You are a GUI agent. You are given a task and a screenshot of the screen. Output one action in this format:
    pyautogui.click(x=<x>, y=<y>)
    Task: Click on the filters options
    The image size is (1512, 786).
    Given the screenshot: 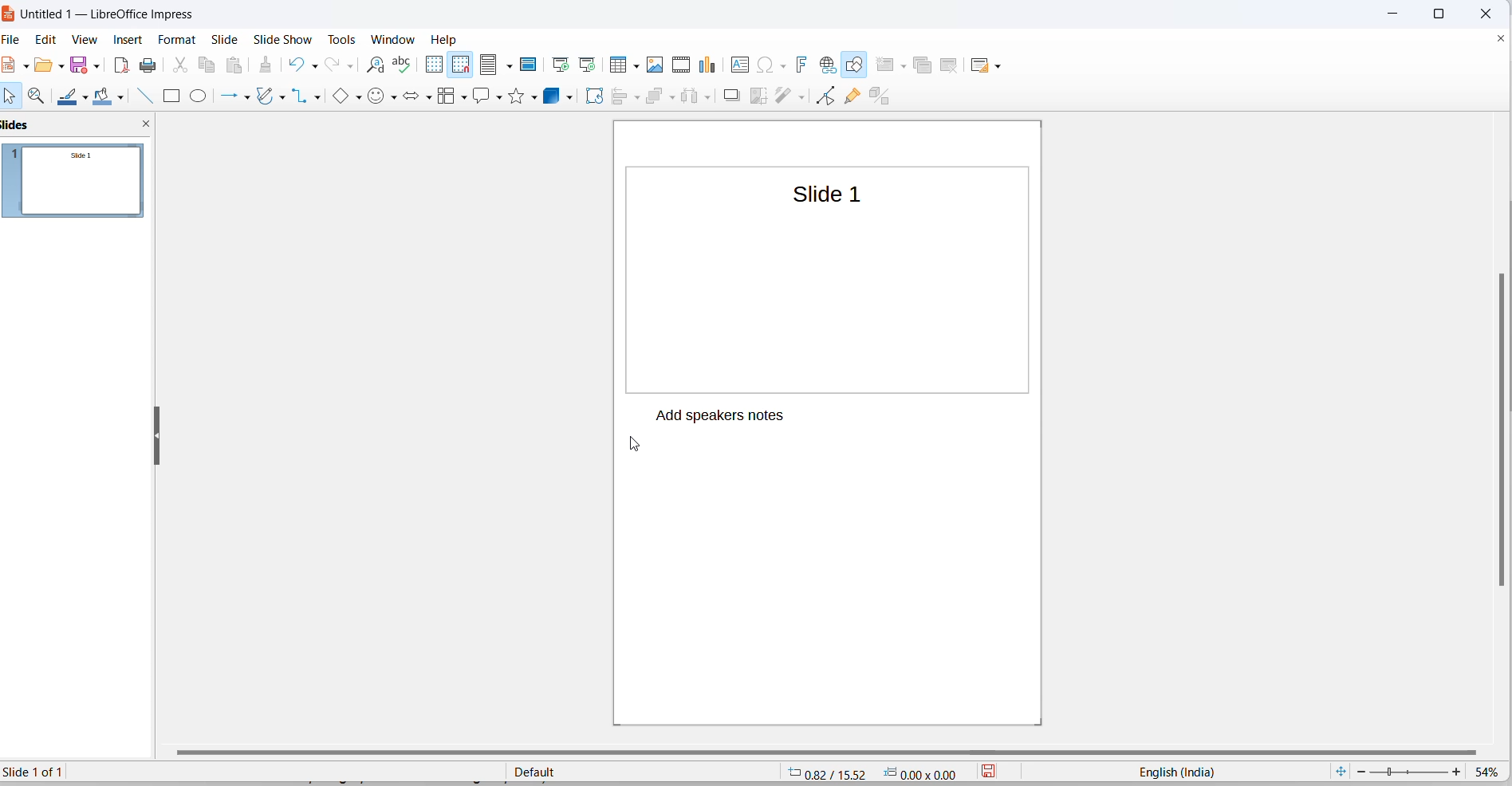 What is the action you would take?
    pyautogui.click(x=800, y=98)
    